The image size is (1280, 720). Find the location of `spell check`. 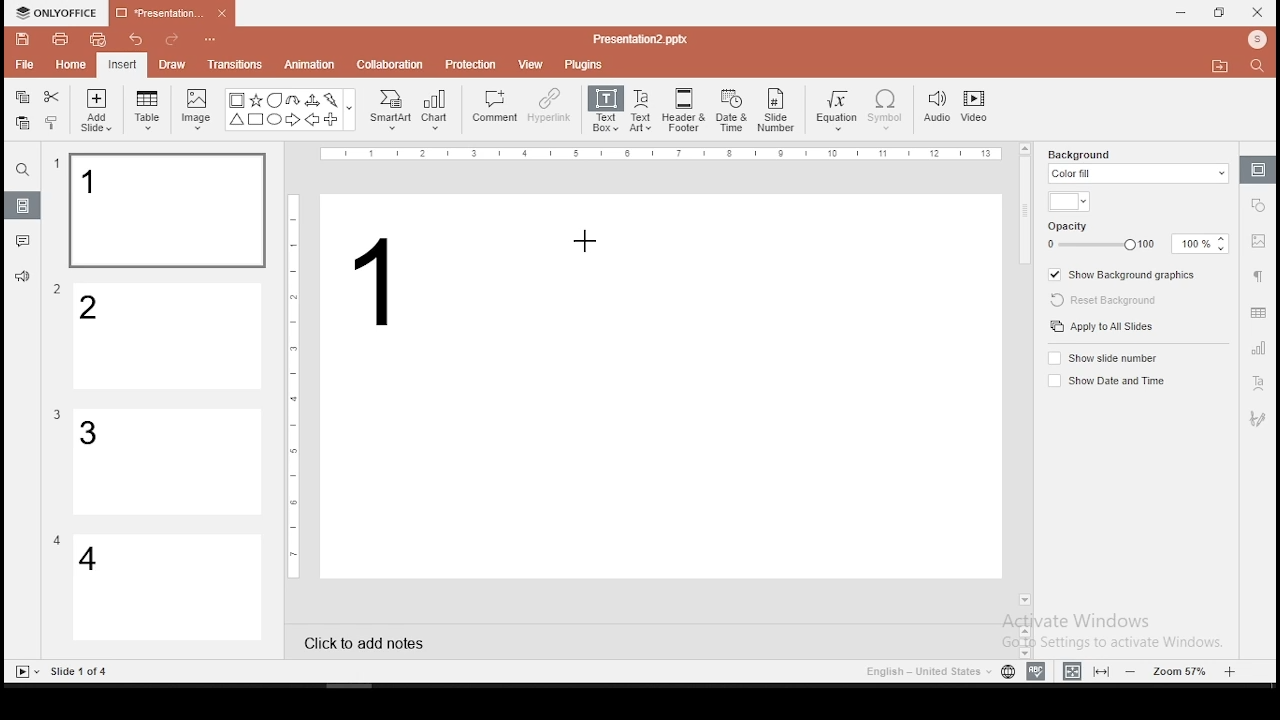

spell check is located at coordinates (1036, 671).